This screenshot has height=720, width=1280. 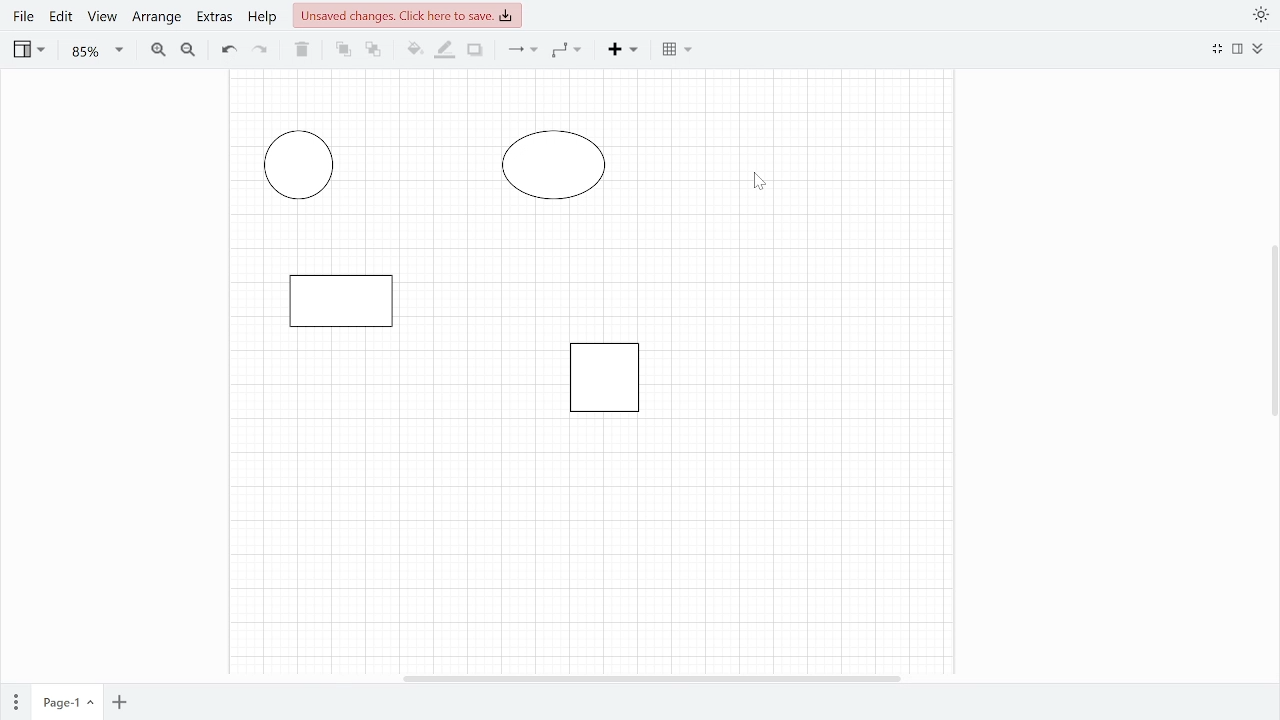 What do you see at coordinates (214, 19) in the screenshot?
I see `EXtras` at bounding box center [214, 19].